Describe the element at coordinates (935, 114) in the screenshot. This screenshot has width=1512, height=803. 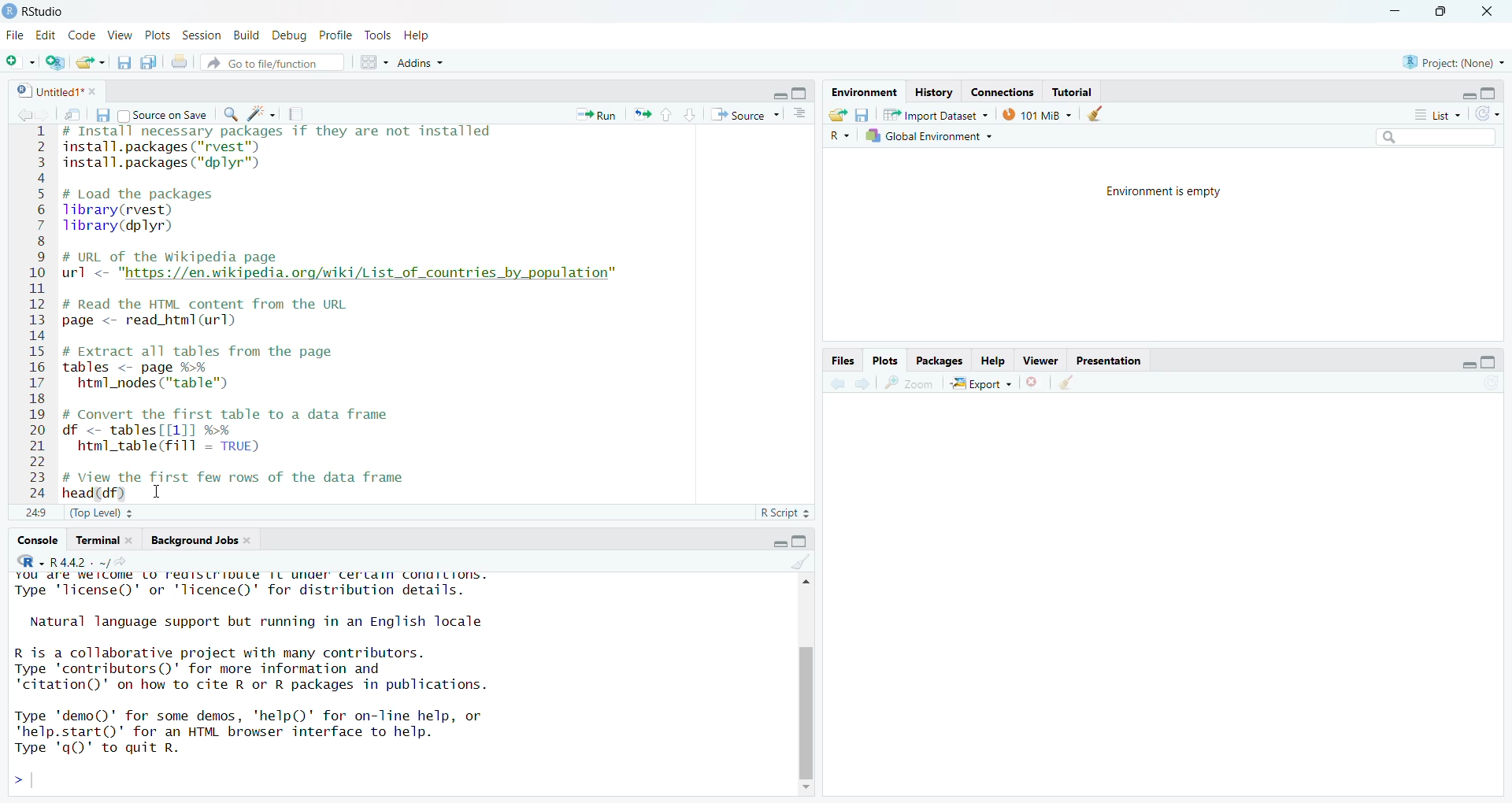
I see `Import Dataset` at that location.